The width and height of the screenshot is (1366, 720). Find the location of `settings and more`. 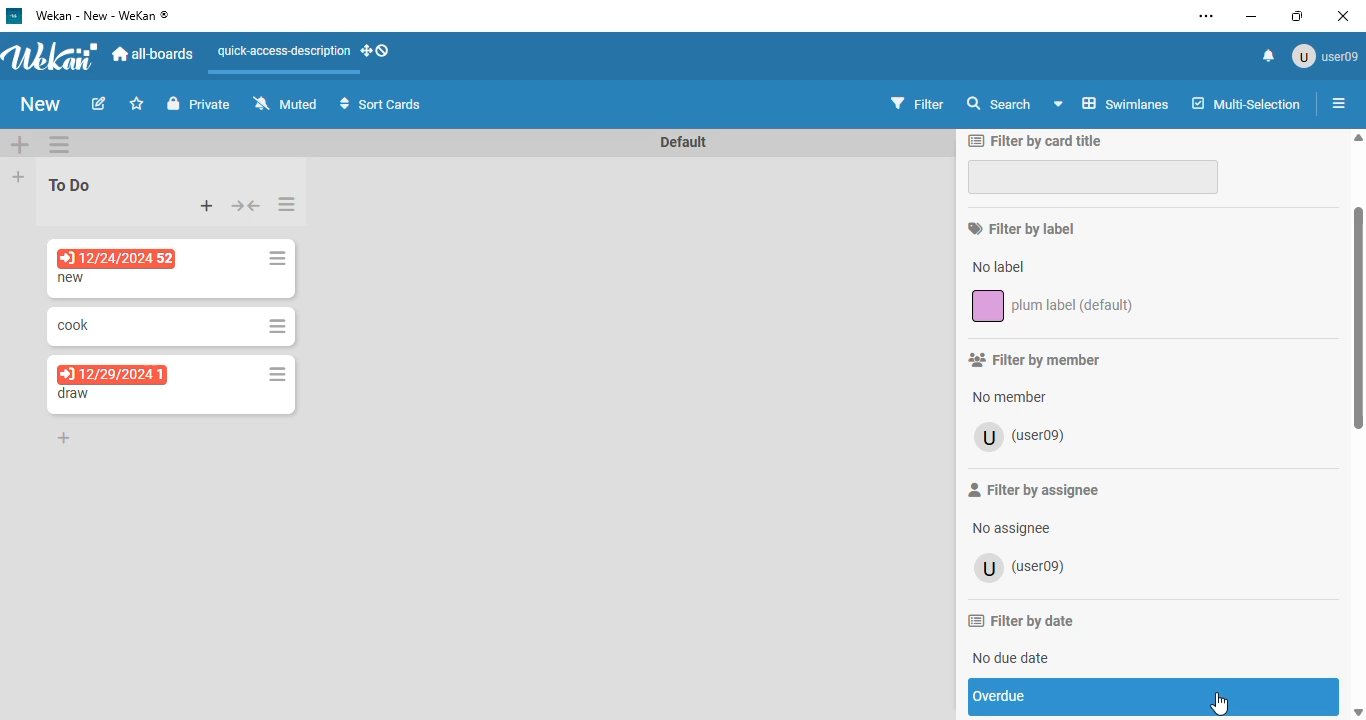

settings and more is located at coordinates (1206, 16).